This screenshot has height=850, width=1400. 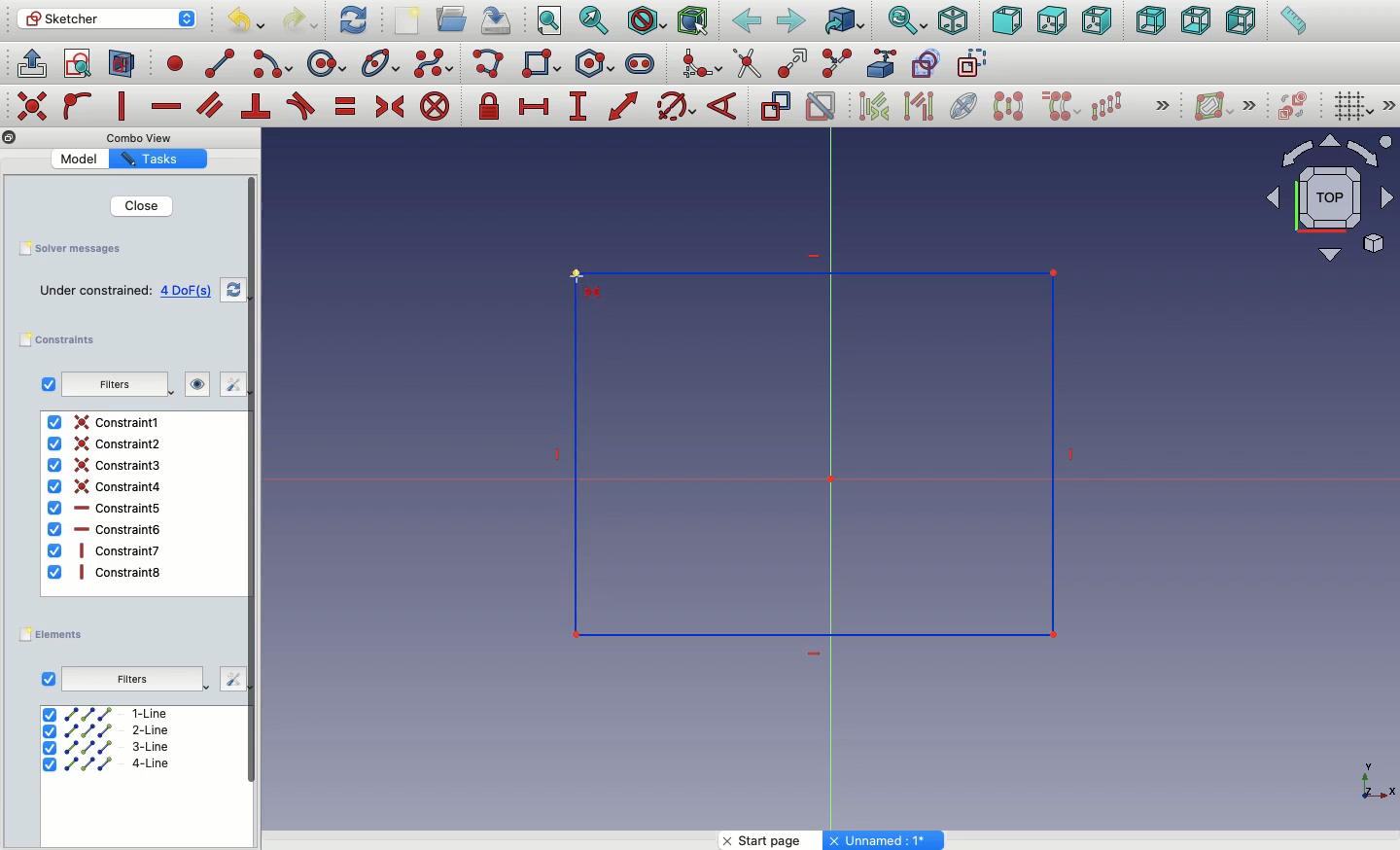 What do you see at coordinates (48, 384) in the screenshot?
I see `checkbox` at bounding box center [48, 384].